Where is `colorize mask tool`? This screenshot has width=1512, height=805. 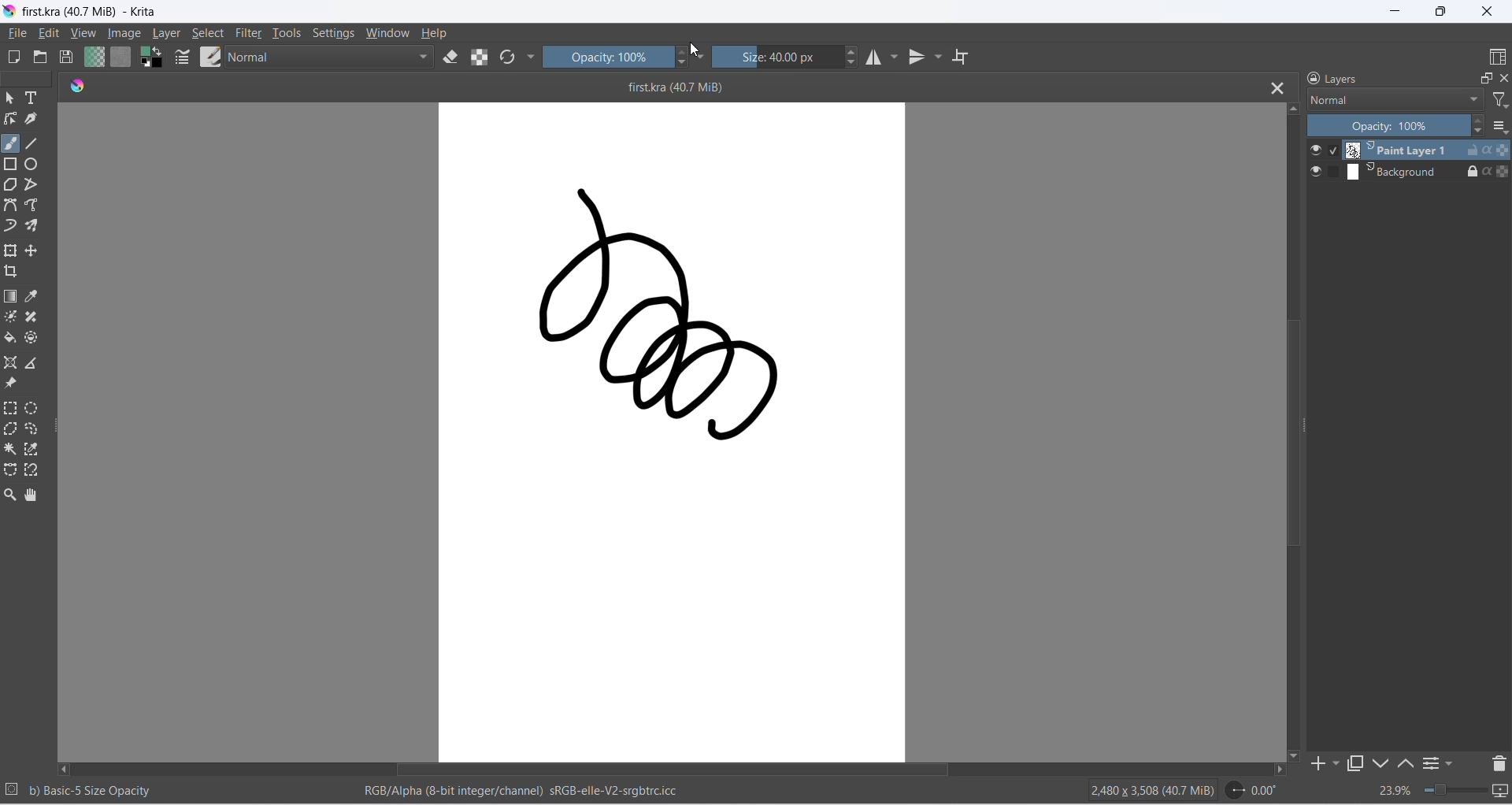
colorize mask tool is located at coordinates (11, 317).